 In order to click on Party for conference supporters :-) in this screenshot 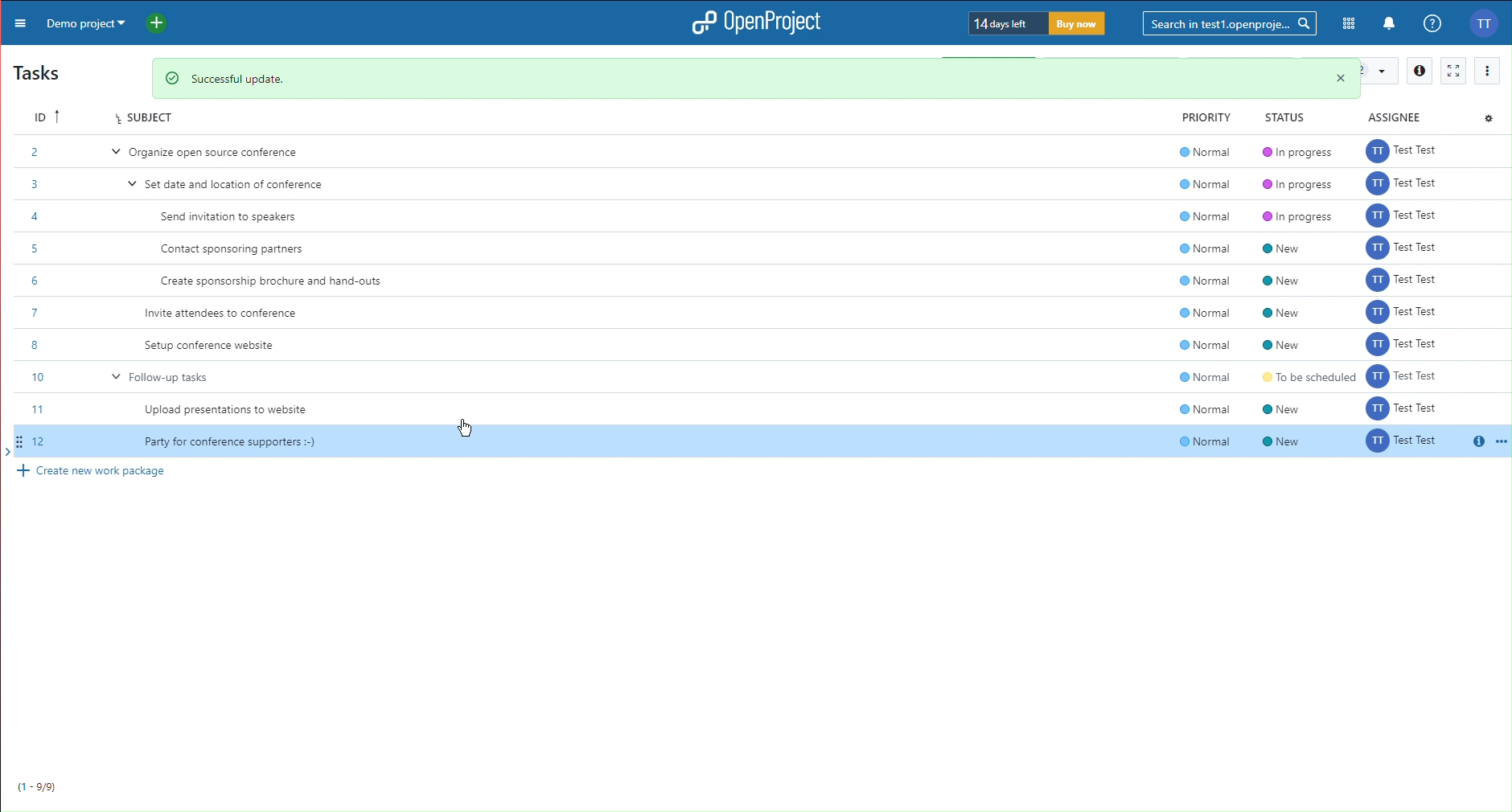, I will do `click(232, 441)`.